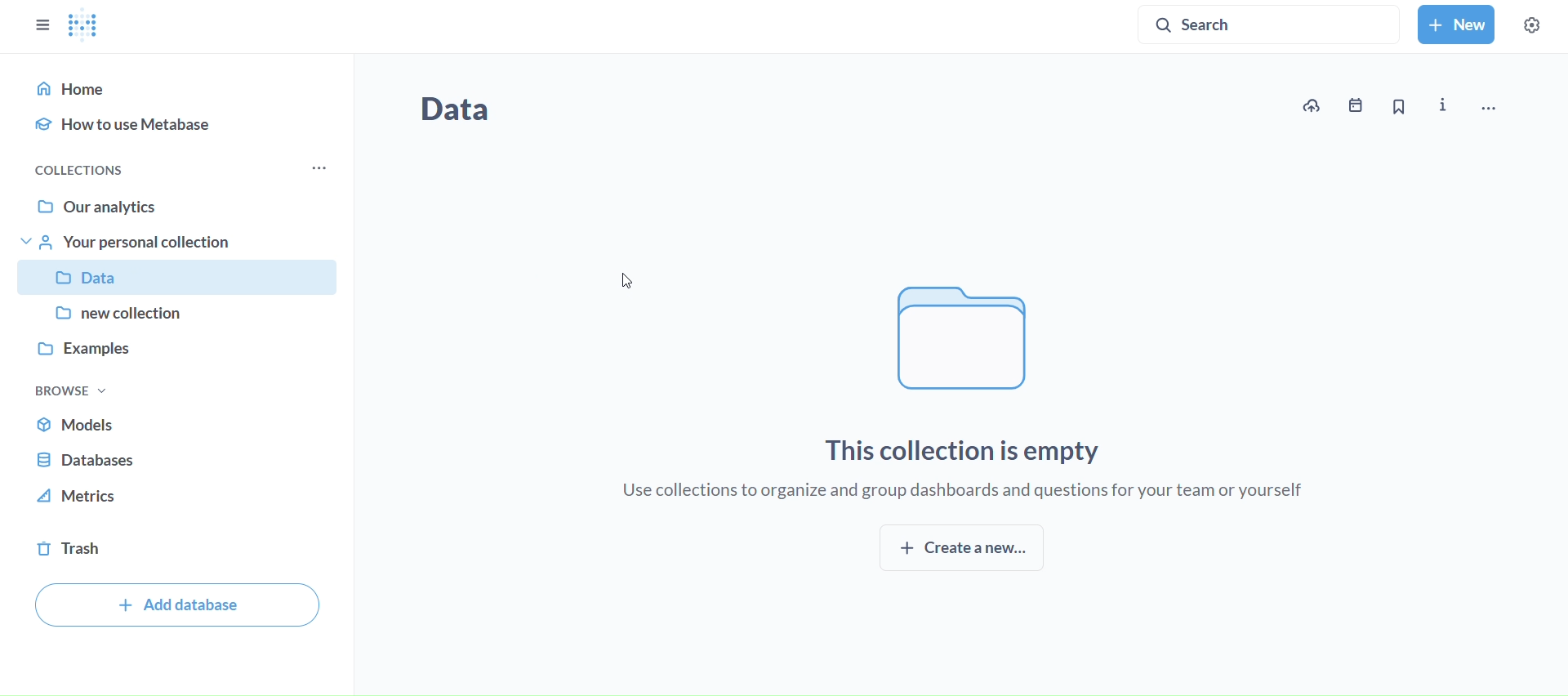 The height and width of the screenshot is (696, 1568). Describe the element at coordinates (1357, 105) in the screenshot. I see `events` at that location.